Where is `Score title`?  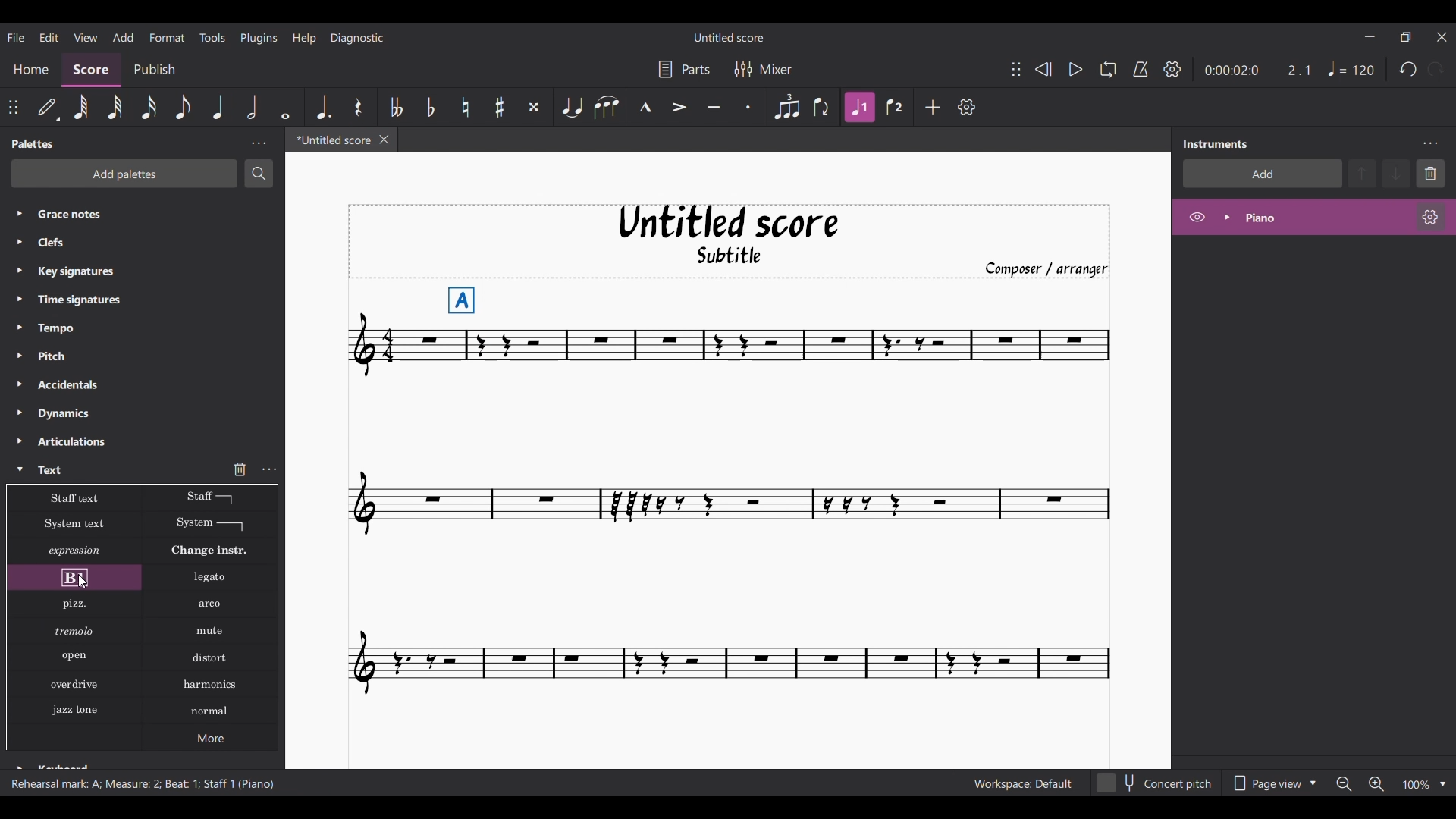 Score title is located at coordinates (727, 36).